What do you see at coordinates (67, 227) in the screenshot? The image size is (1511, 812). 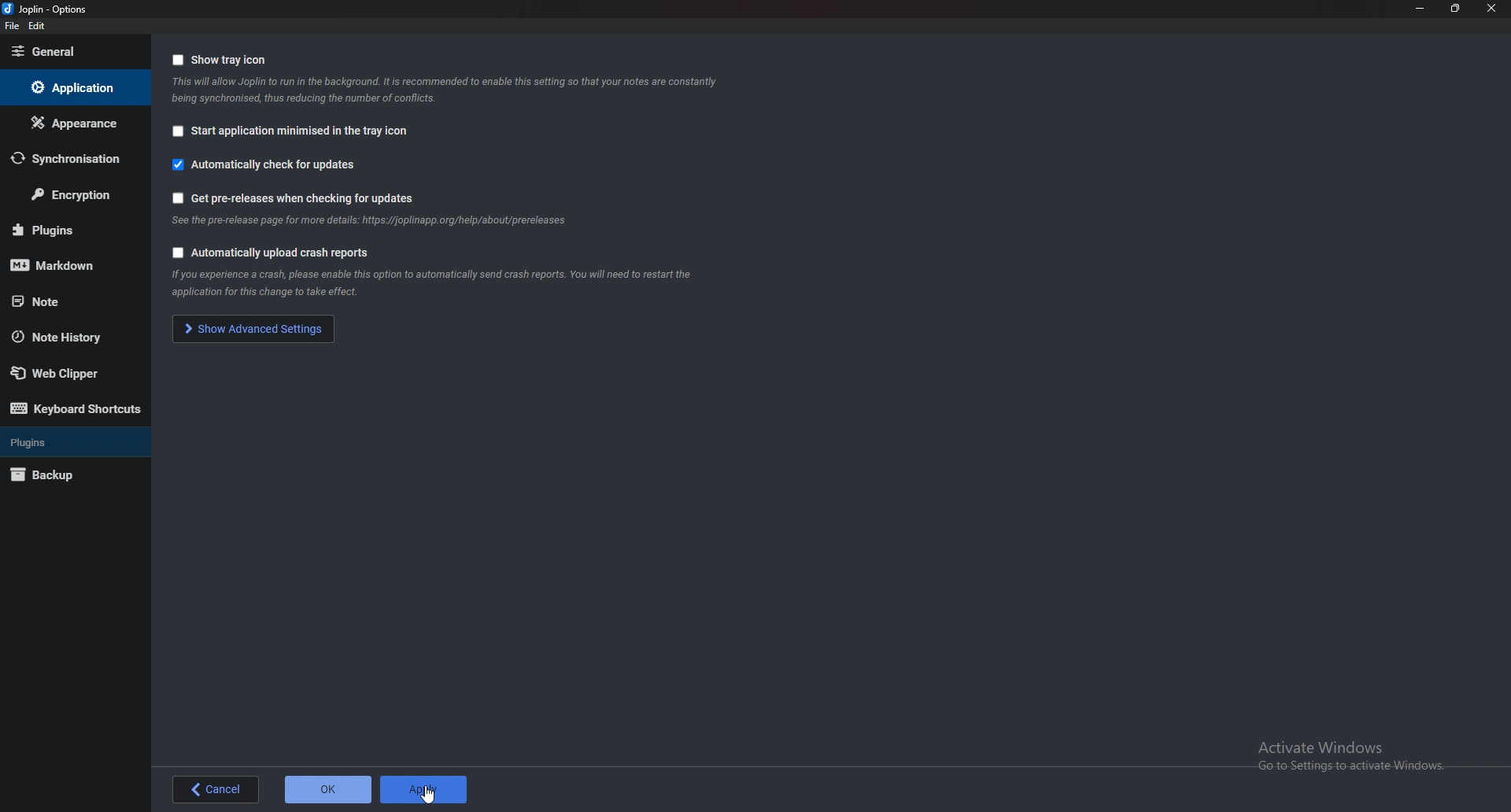 I see `Plugins` at bounding box center [67, 227].